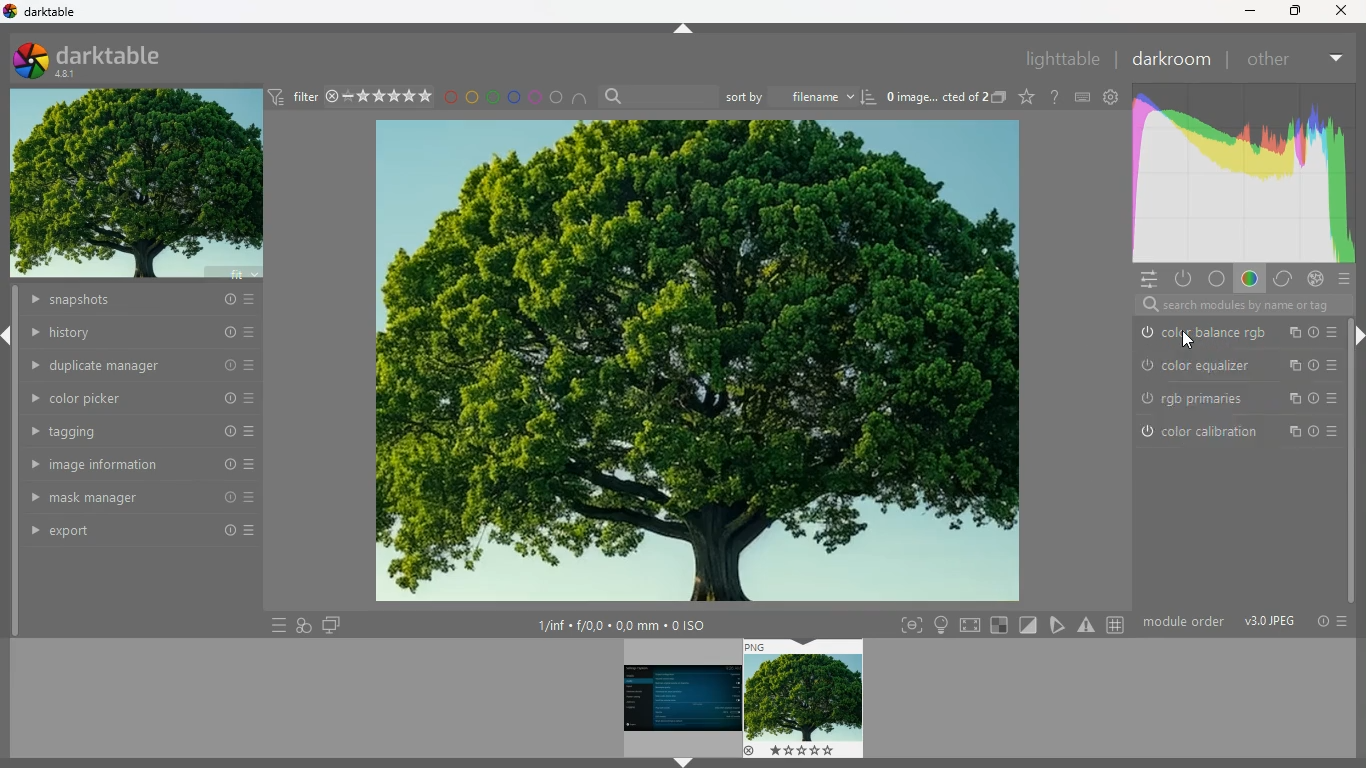 The image size is (1366, 768). Describe the element at coordinates (1247, 281) in the screenshot. I see `color` at that location.